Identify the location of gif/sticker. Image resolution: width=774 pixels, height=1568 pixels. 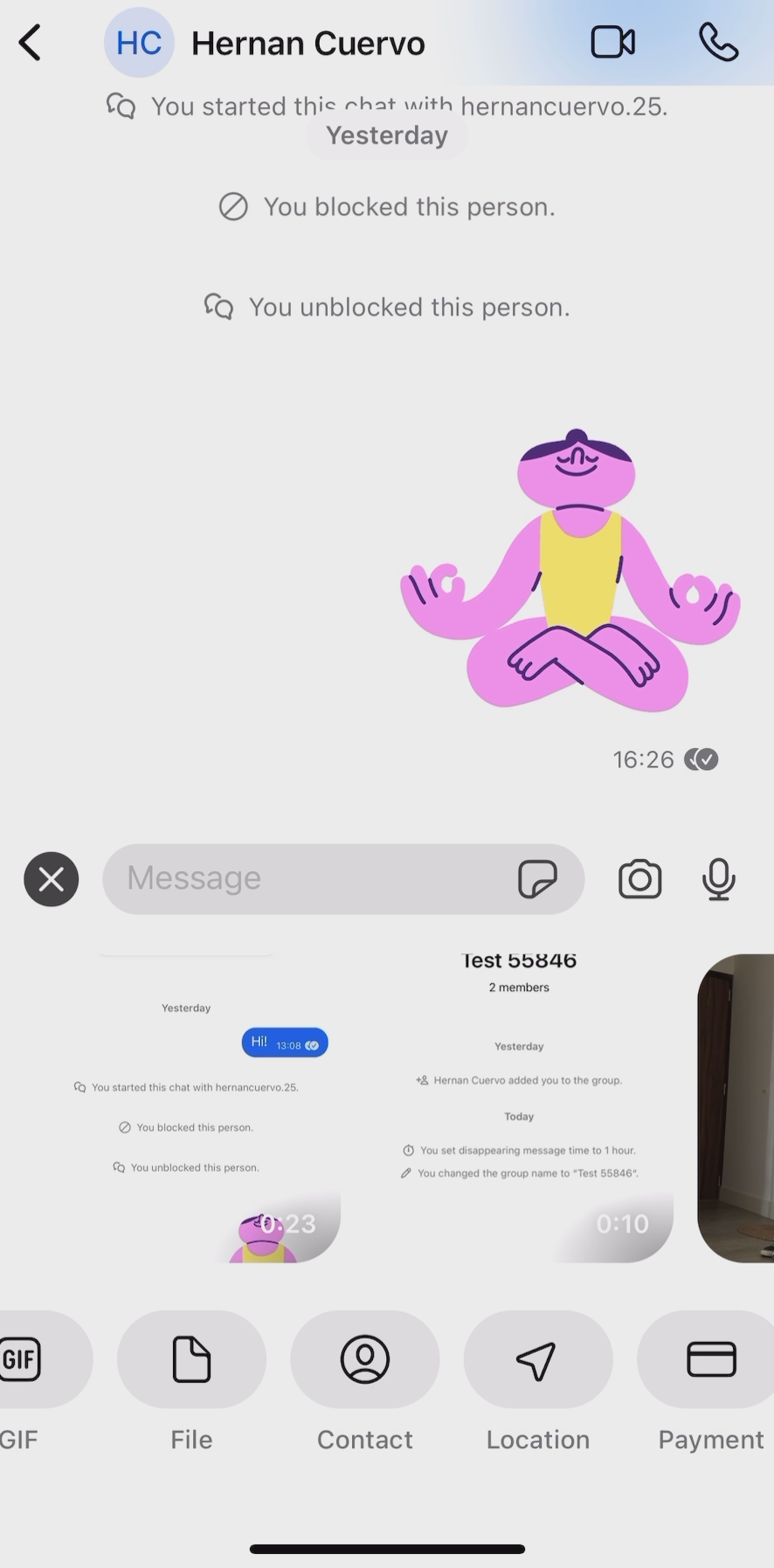
(536, 874).